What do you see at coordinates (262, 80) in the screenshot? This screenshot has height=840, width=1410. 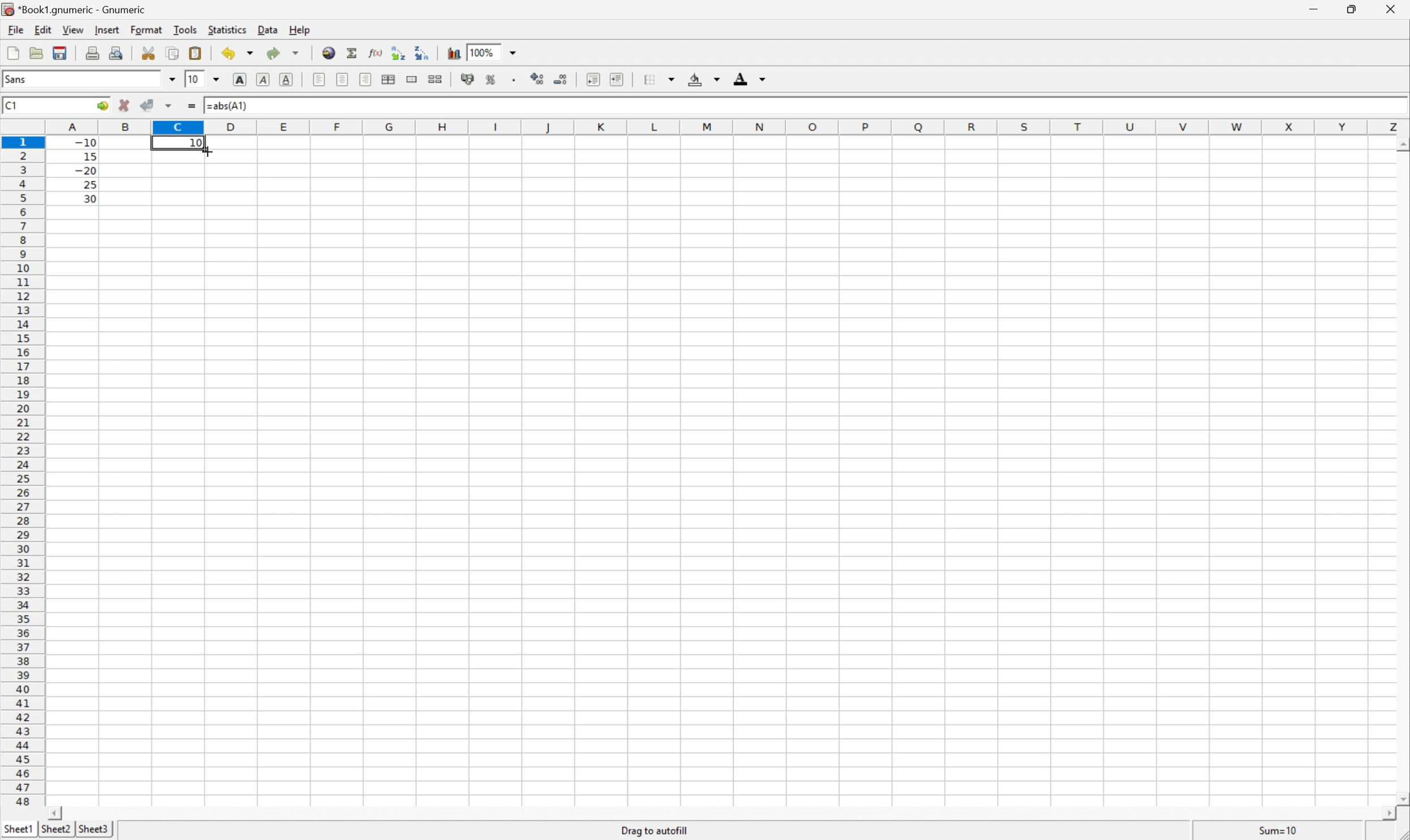 I see `Underline ` at bounding box center [262, 80].